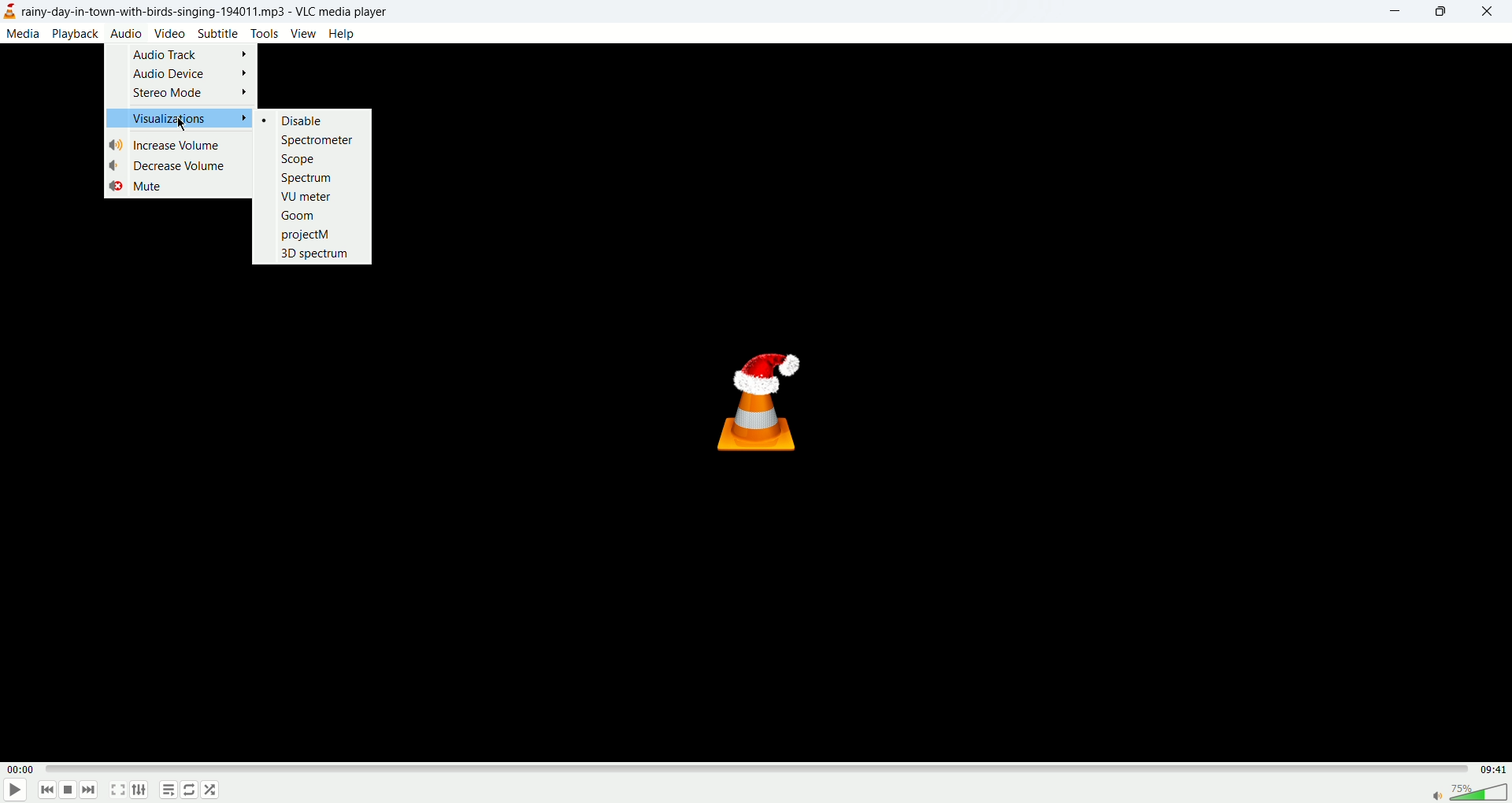 The height and width of the screenshot is (803, 1512). I want to click on projectM, so click(310, 235).